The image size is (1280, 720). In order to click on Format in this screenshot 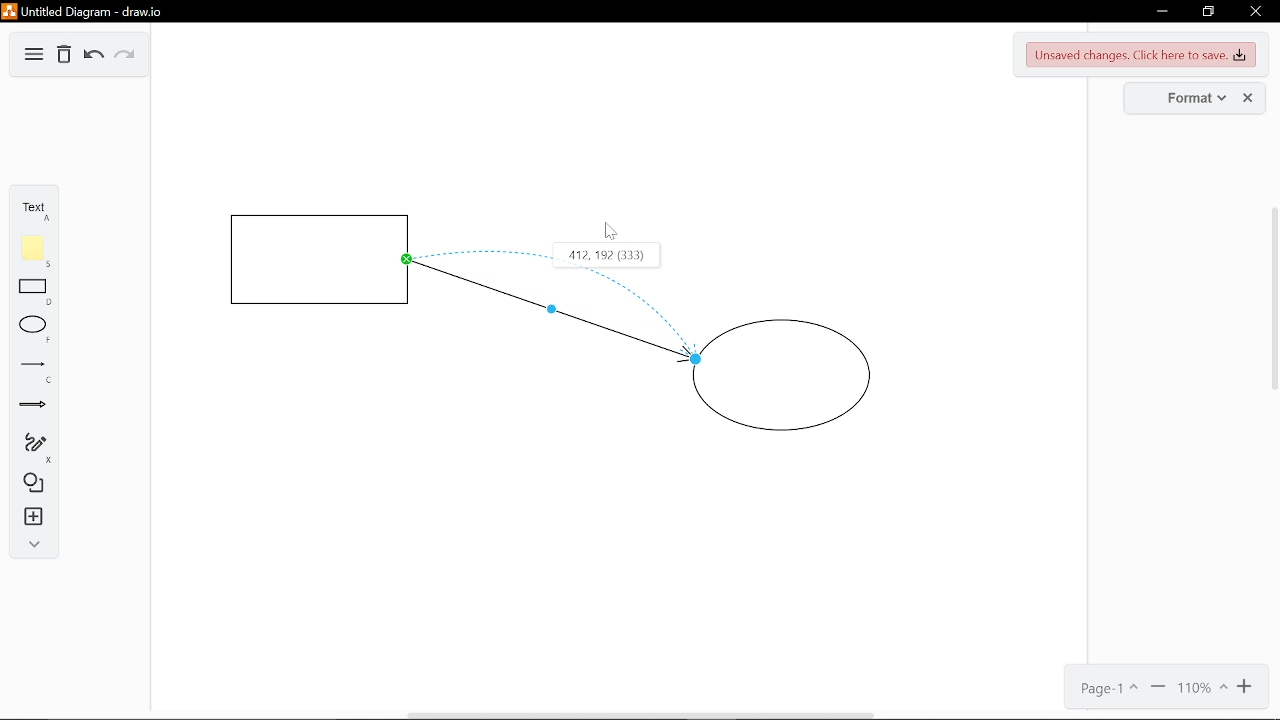, I will do `click(1194, 97)`.